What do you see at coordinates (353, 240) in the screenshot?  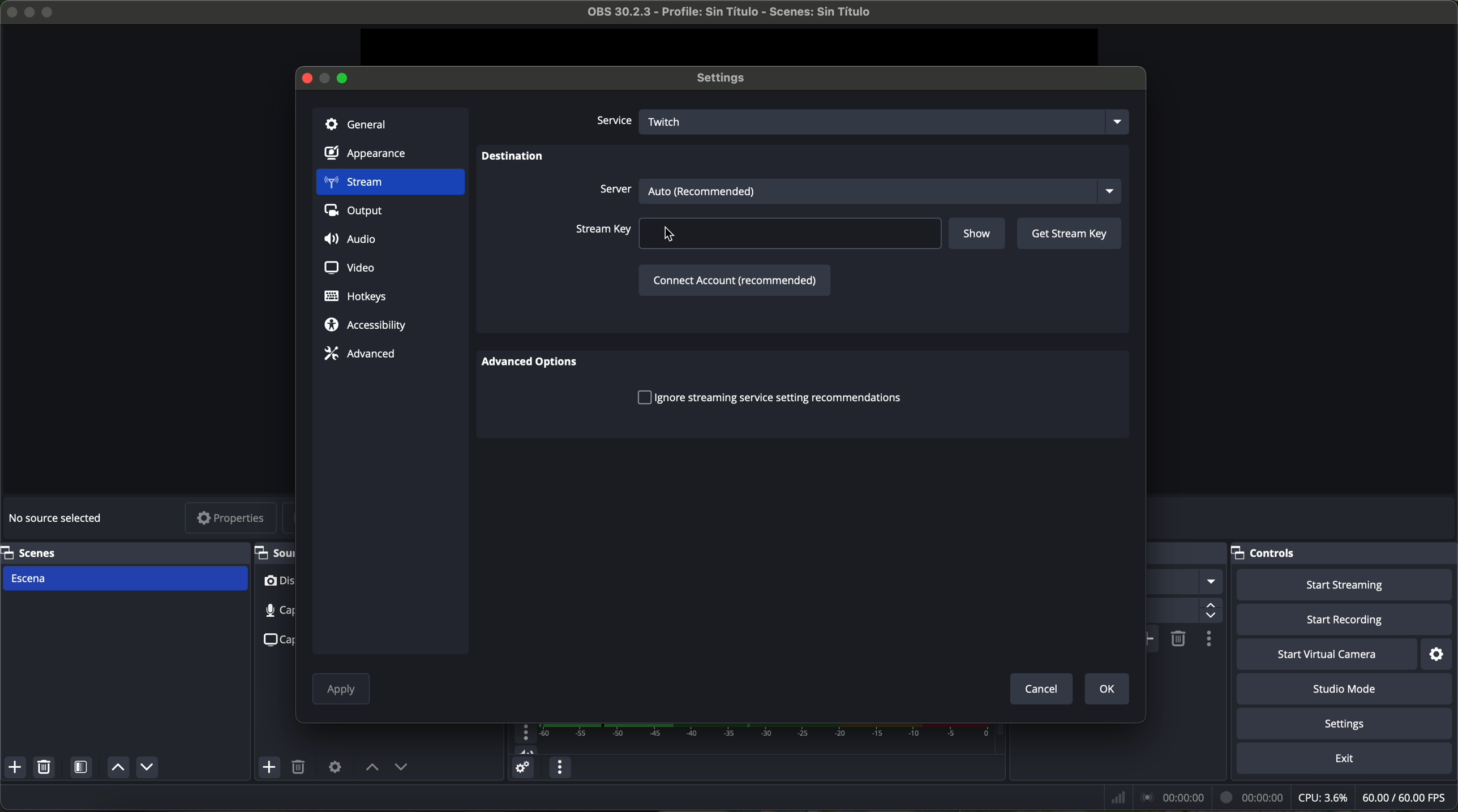 I see `audio` at bounding box center [353, 240].